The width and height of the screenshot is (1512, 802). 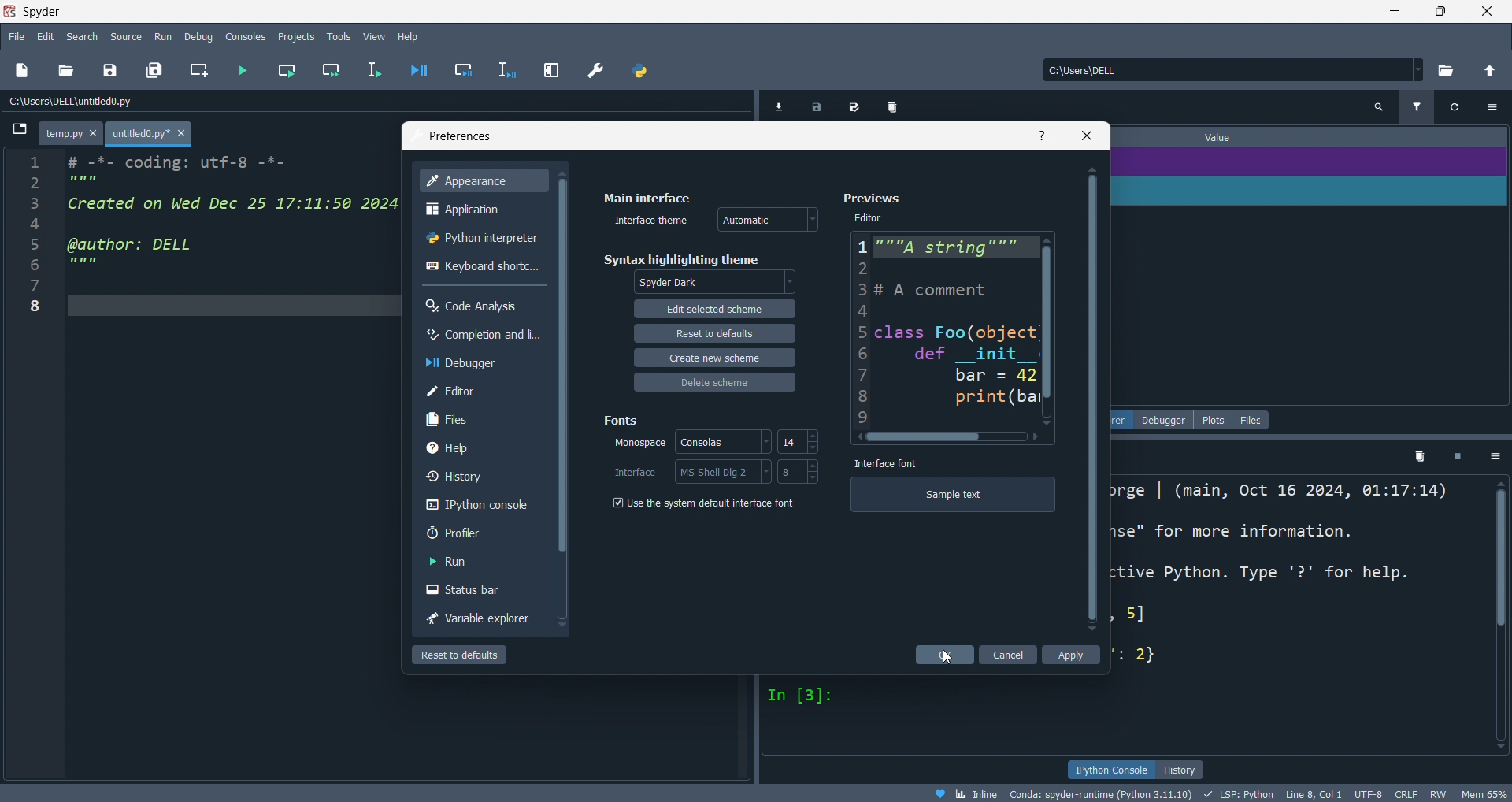 What do you see at coordinates (1459, 456) in the screenshot?
I see `exit kernel` at bounding box center [1459, 456].